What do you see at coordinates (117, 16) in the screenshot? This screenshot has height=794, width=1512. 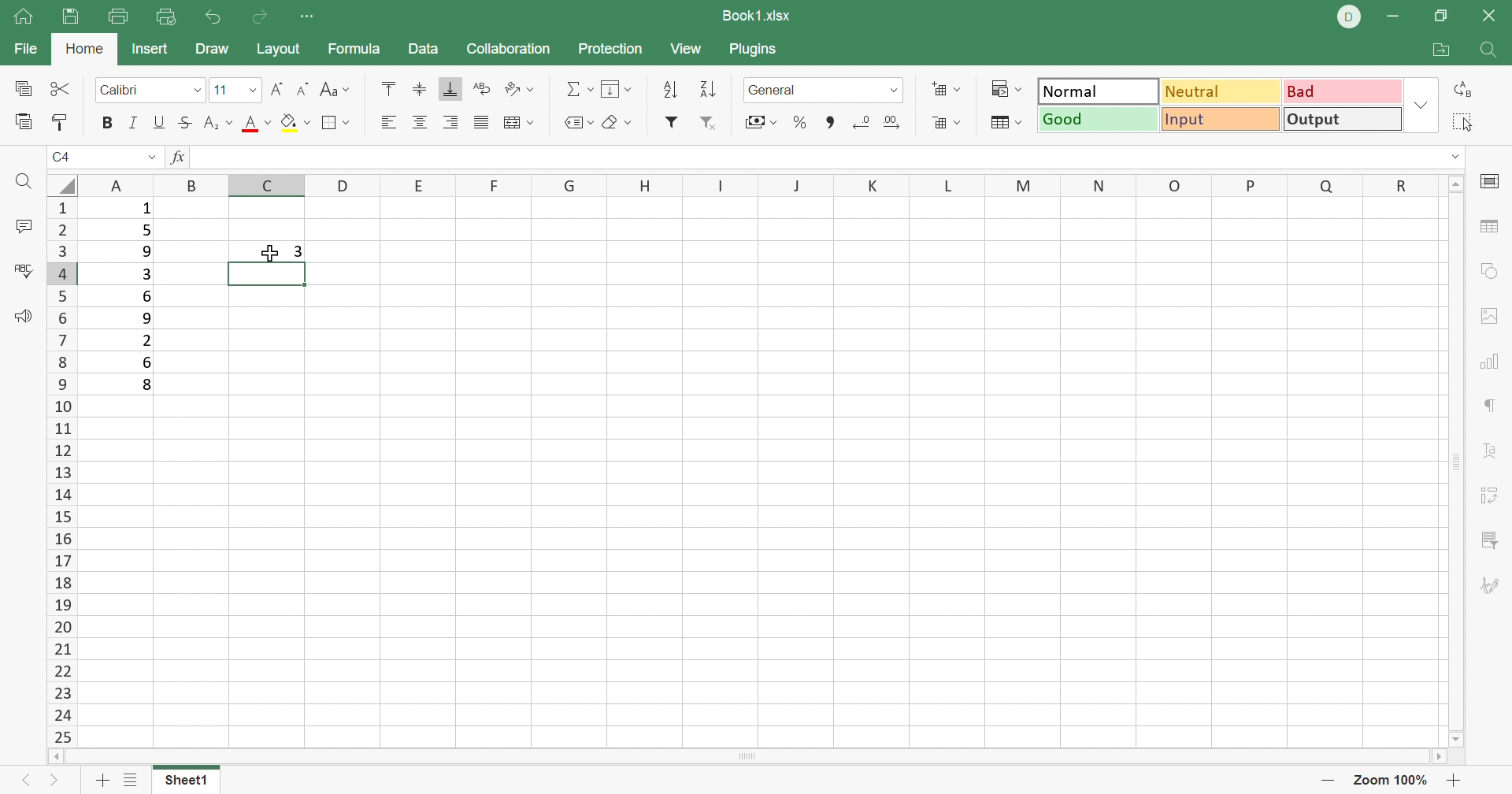 I see `Print file` at bounding box center [117, 16].